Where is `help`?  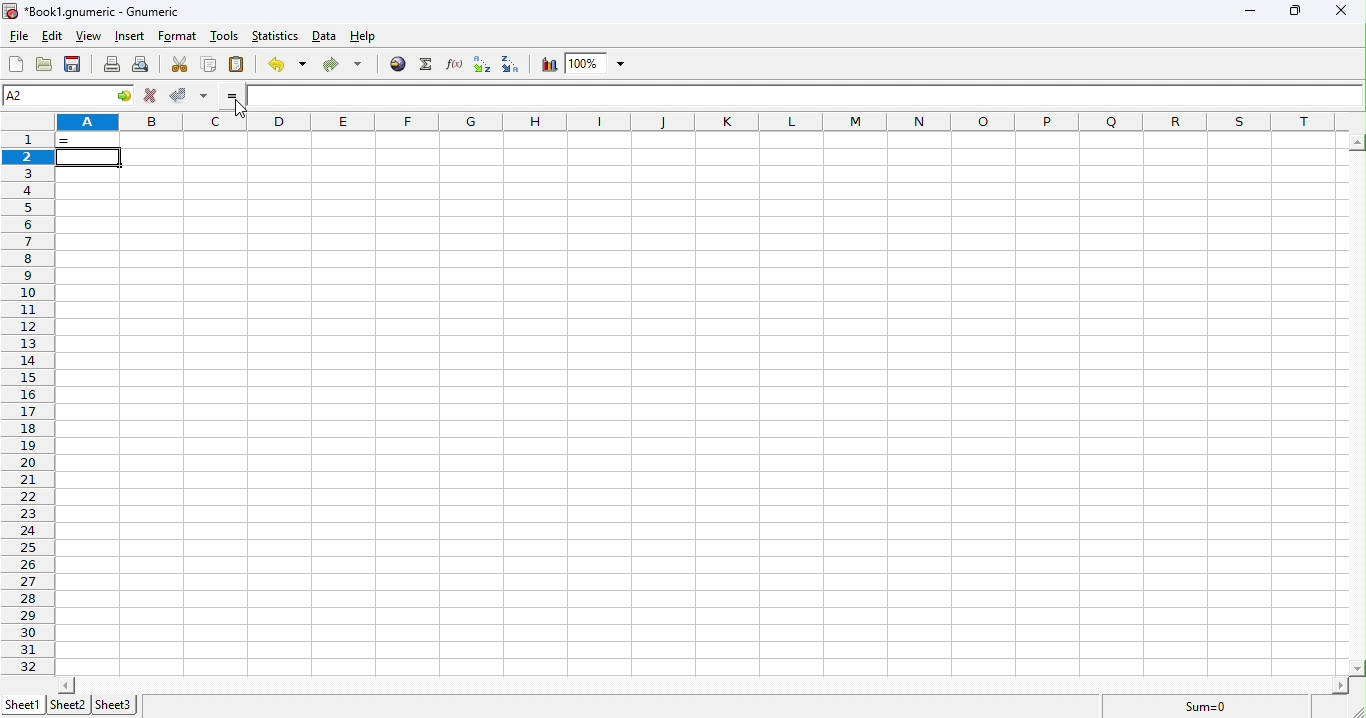
help is located at coordinates (362, 37).